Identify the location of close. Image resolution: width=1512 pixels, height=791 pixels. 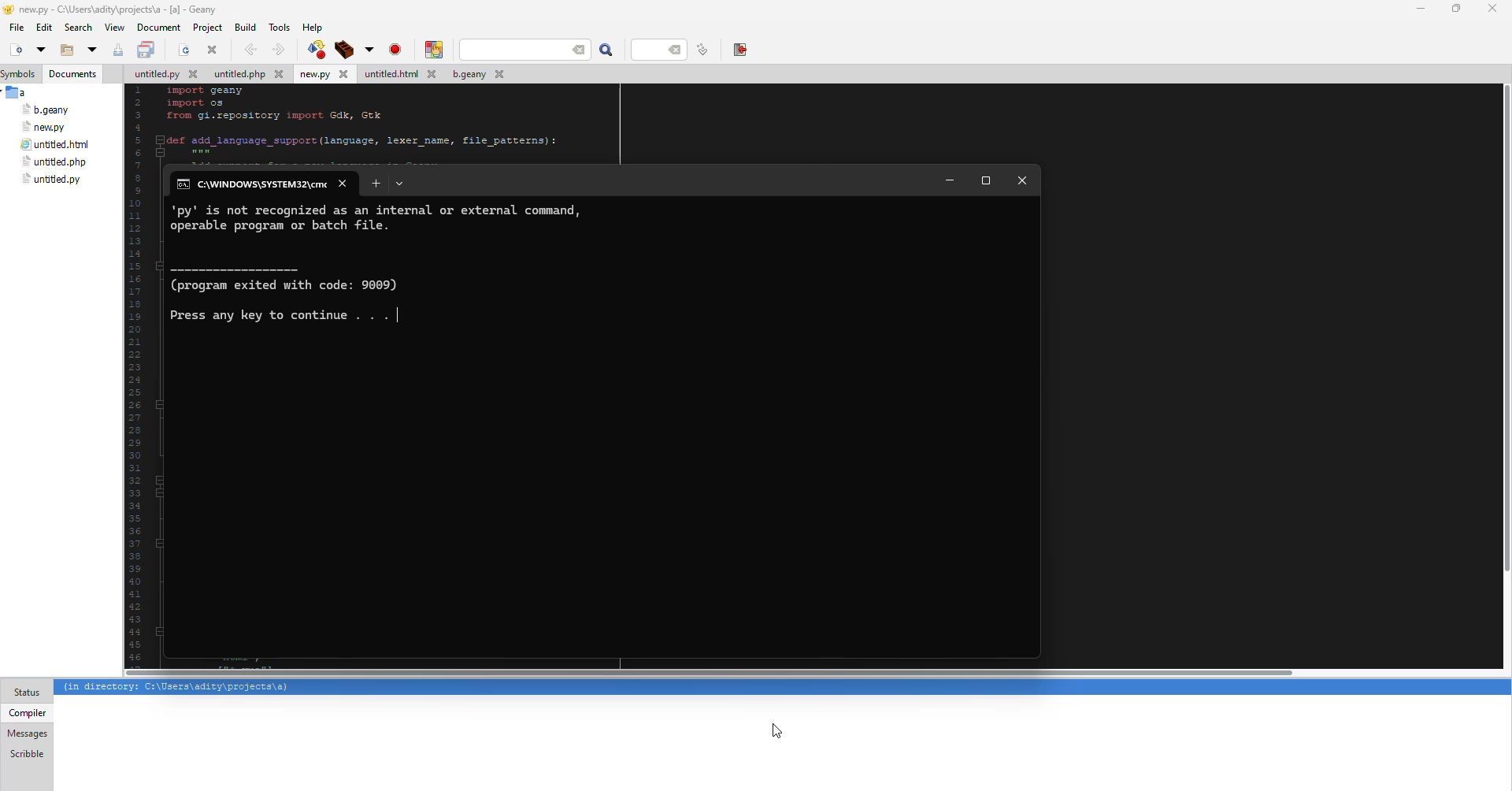
(342, 184).